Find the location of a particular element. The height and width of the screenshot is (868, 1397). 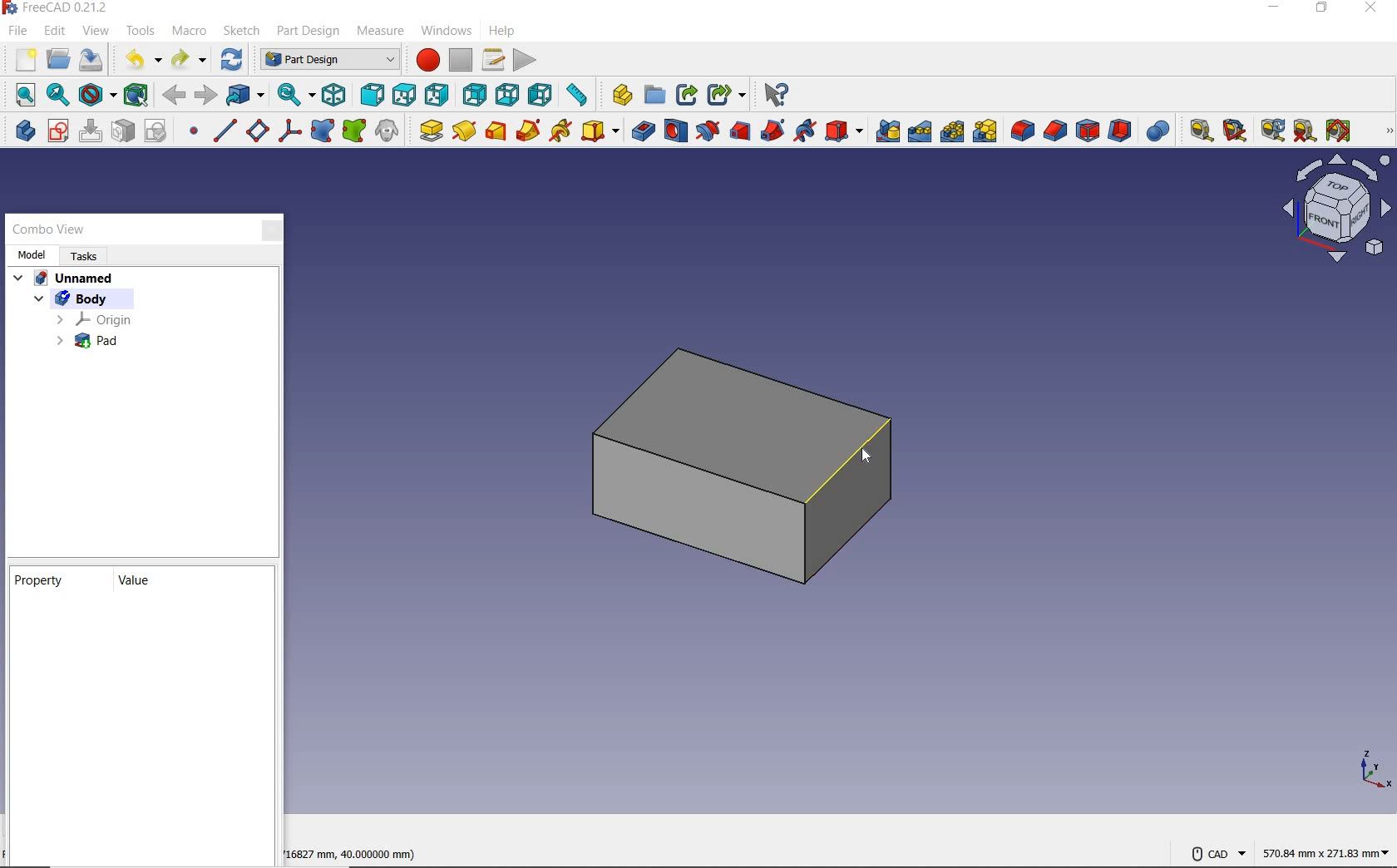

view plane is located at coordinates (1334, 209).